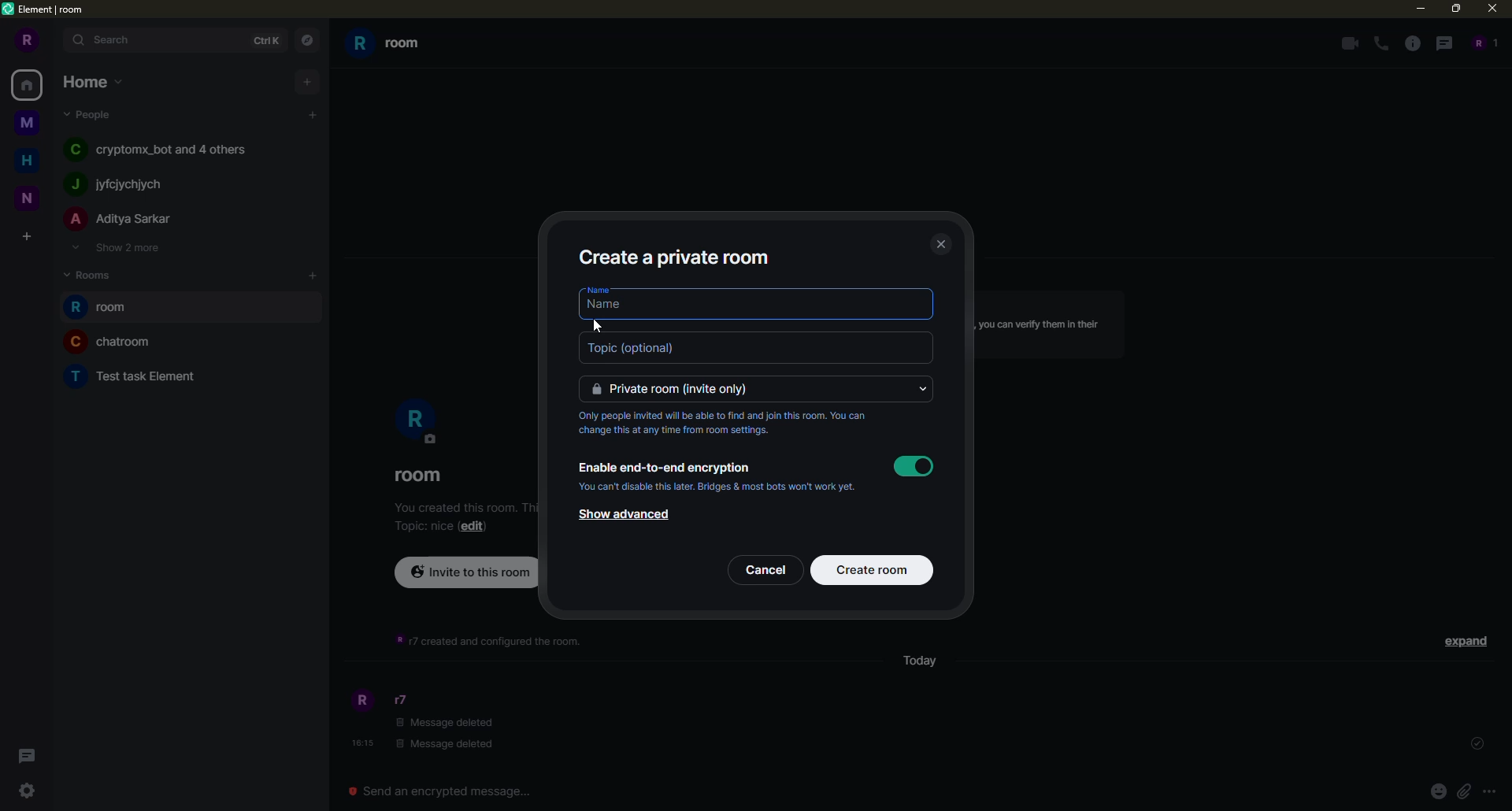 The width and height of the screenshot is (1512, 811). I want to click on close, so click(942, 244).